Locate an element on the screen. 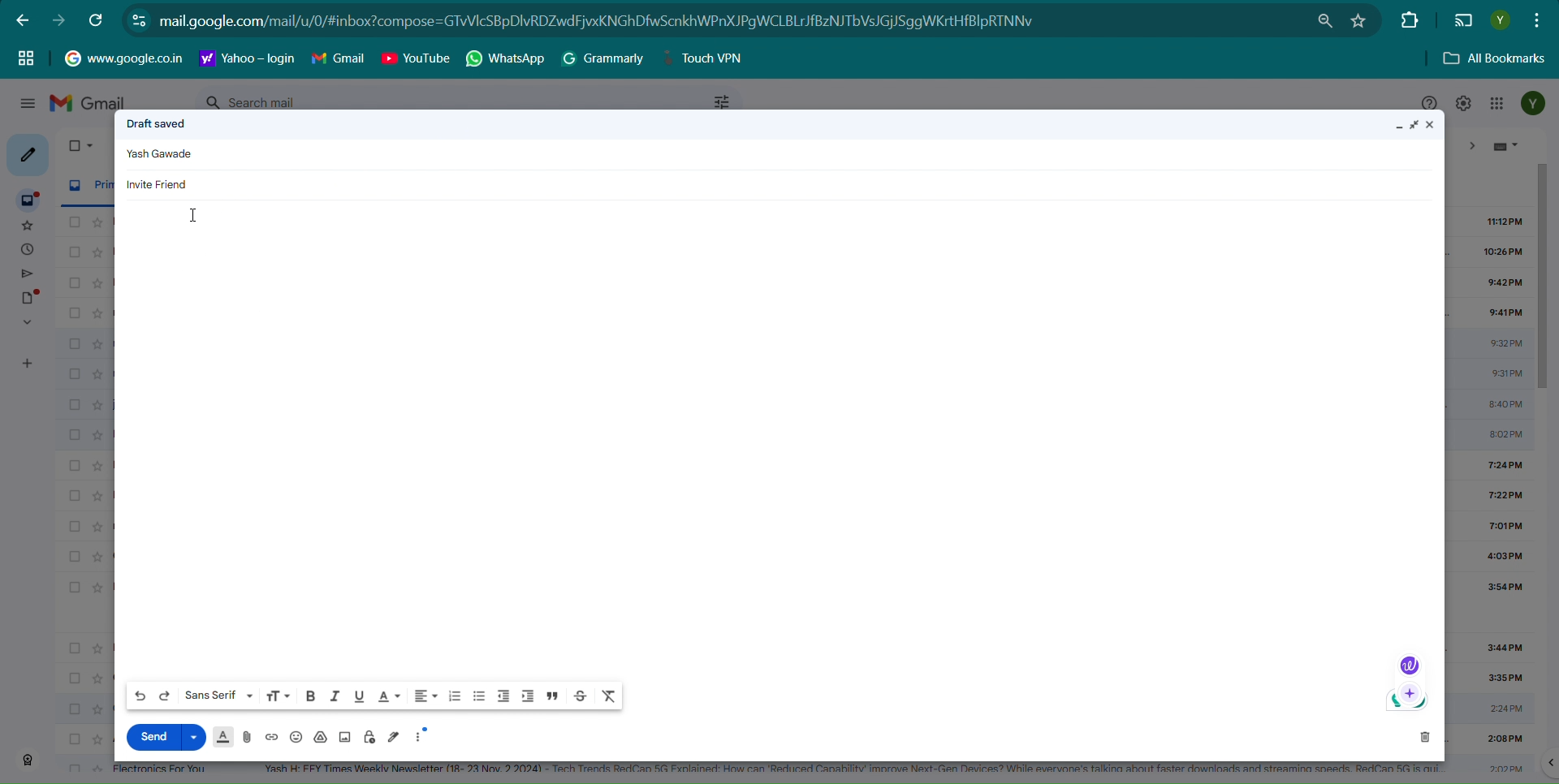  All Bookmarks is located at coordinates (1496, 59).